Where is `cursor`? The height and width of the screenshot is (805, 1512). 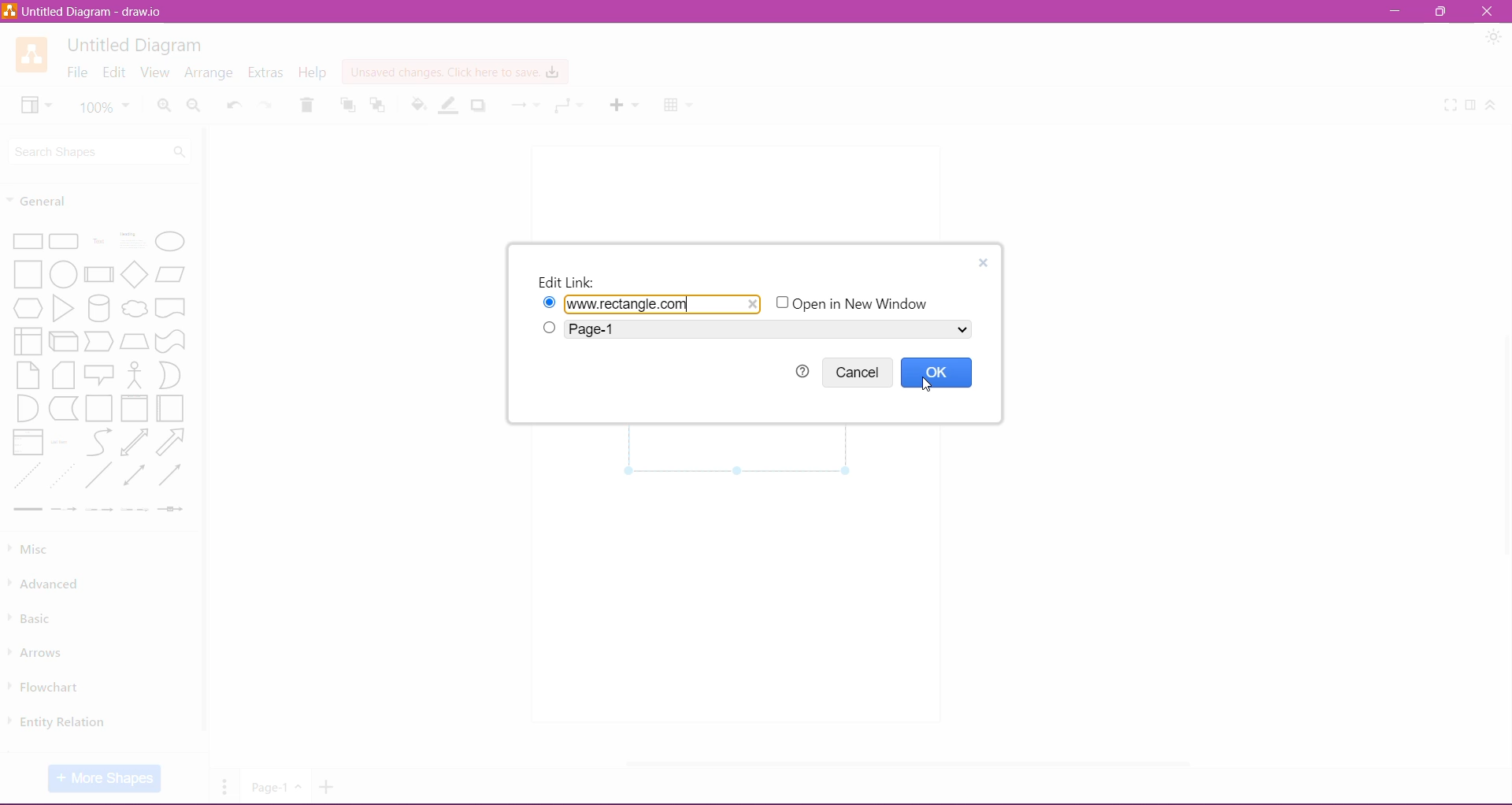
cursor is located at coordinates (930, 387).